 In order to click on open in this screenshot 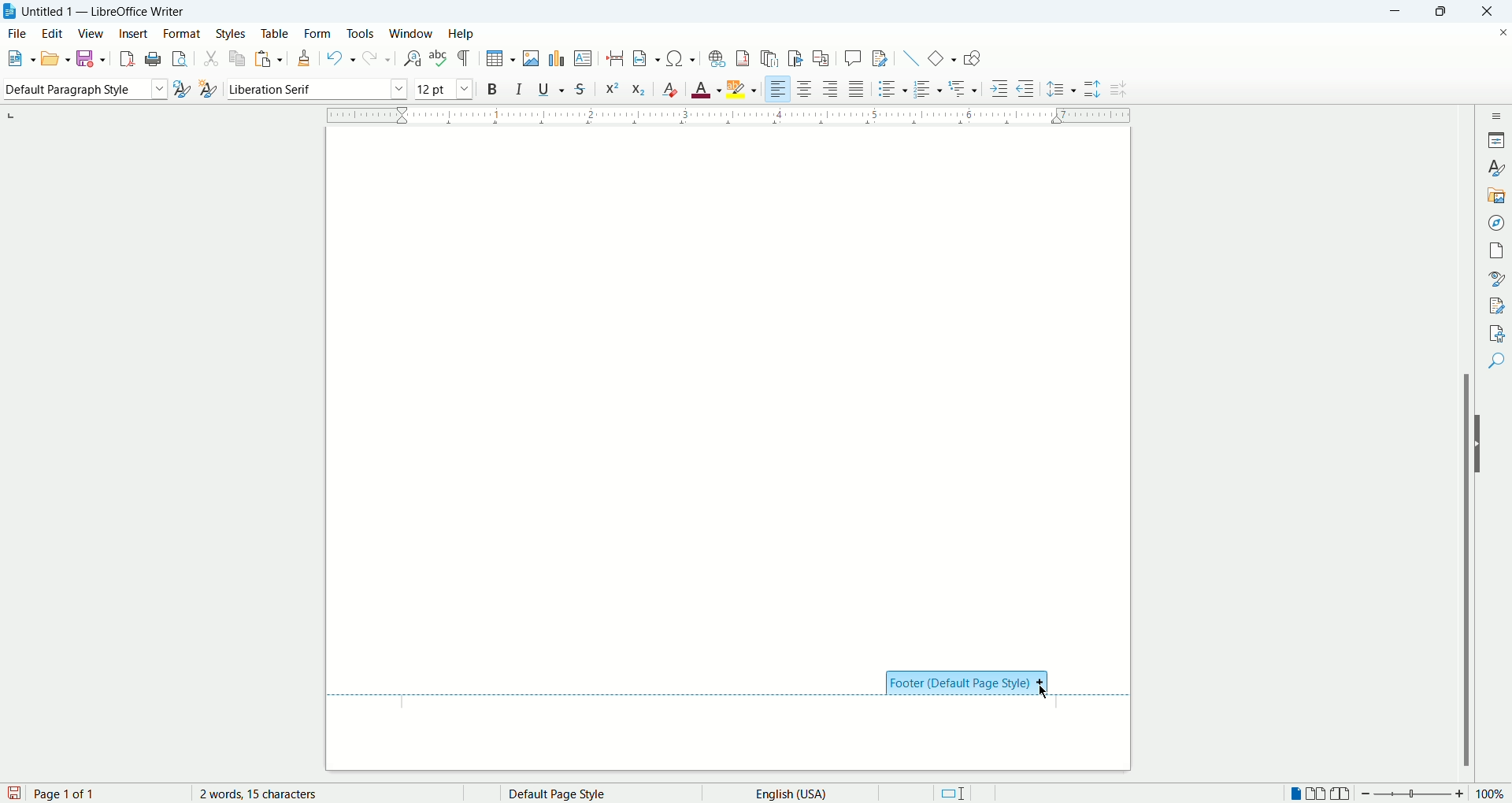, I will do `click(54, 57)`.